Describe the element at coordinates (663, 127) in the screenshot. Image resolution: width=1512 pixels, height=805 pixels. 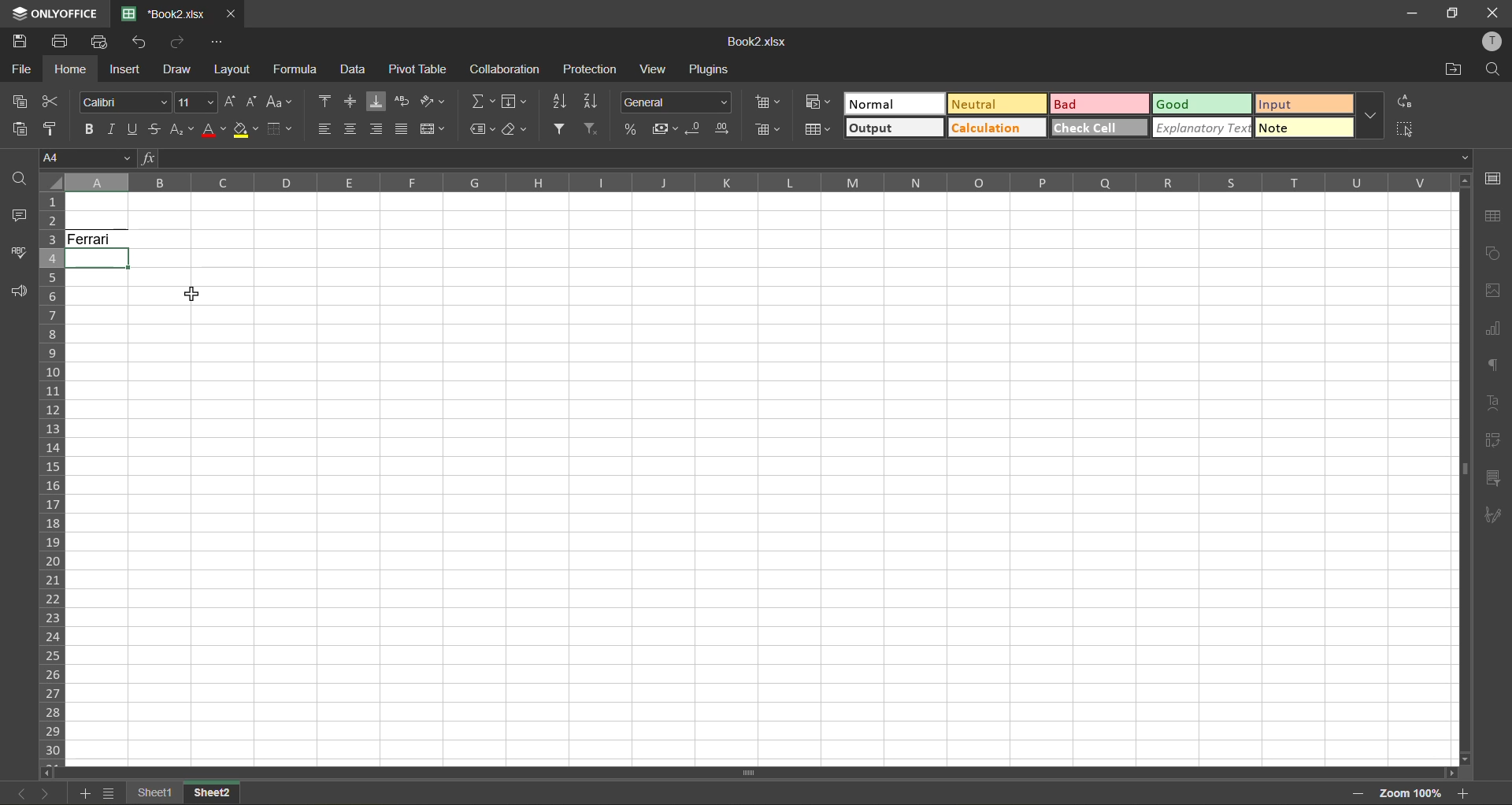
I see `accounting` at that location.